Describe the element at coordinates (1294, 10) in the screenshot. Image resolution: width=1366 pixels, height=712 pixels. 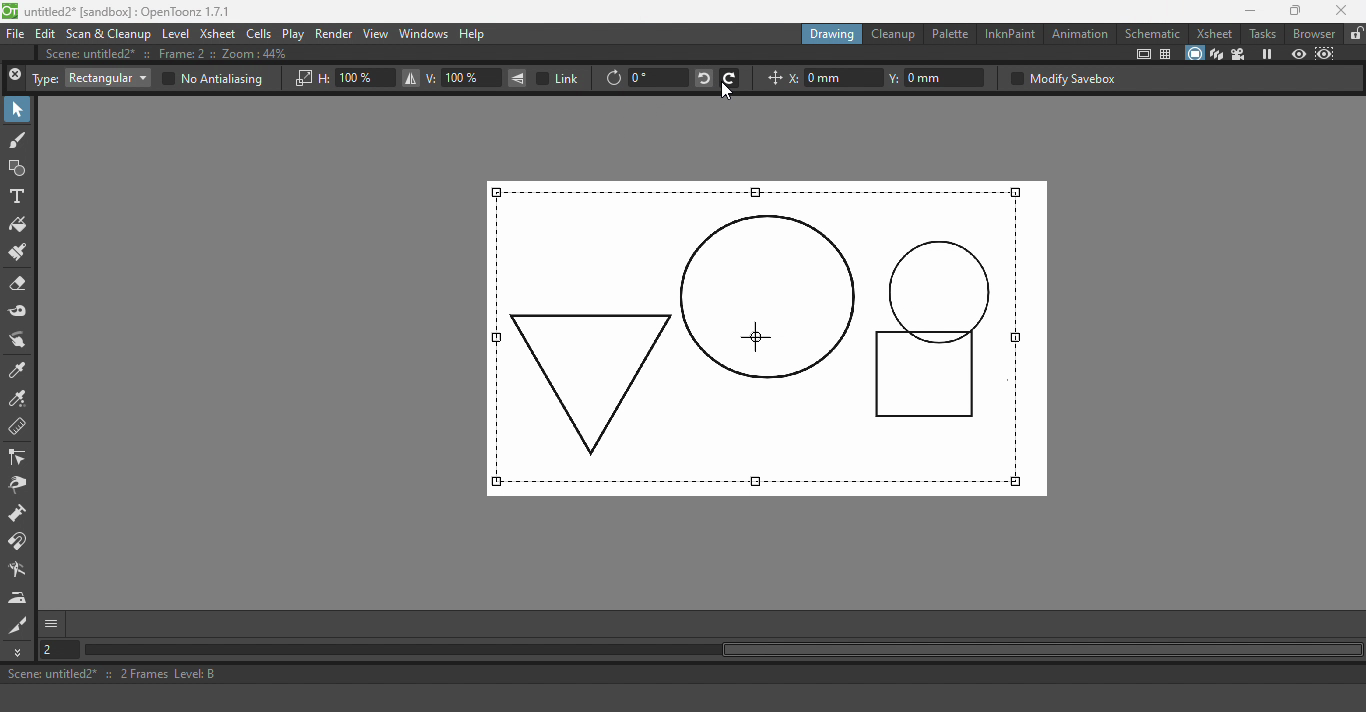
I see `Maximize` at that location.